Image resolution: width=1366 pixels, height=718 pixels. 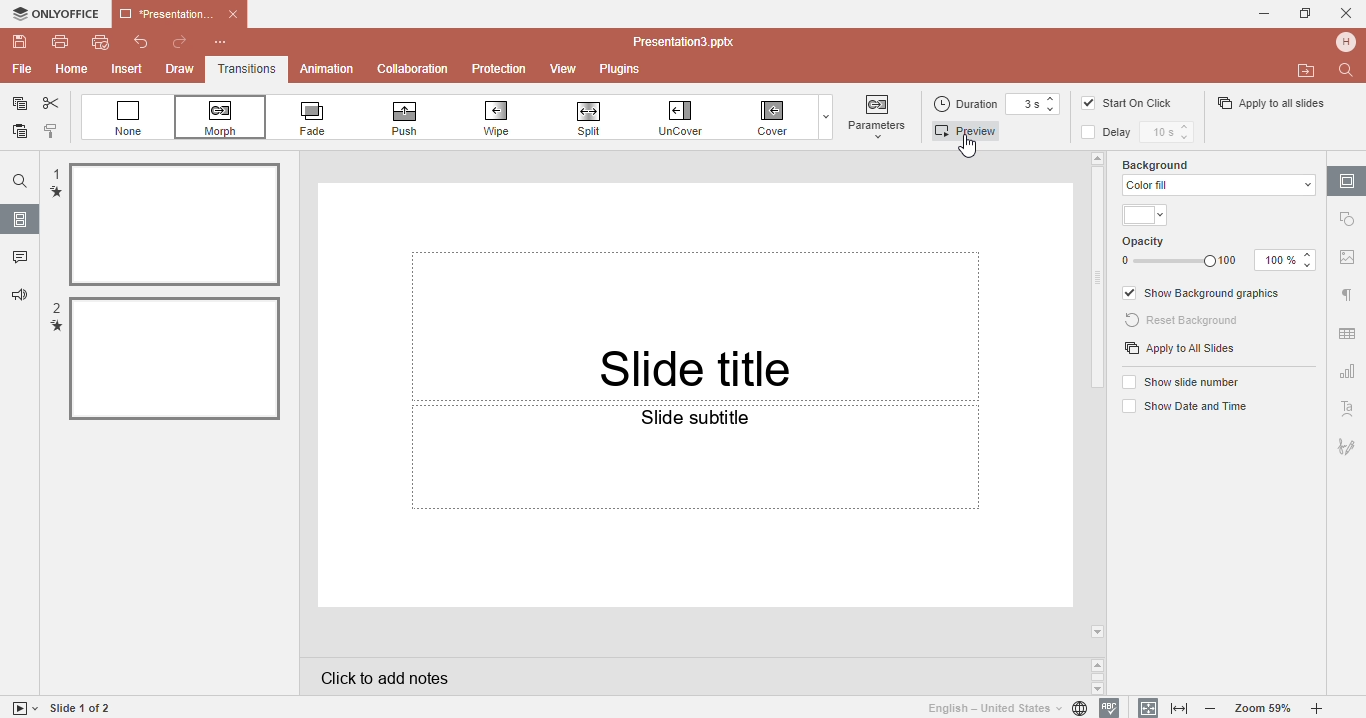 What do you see at coordinates (175, 358) in the screenshot?
I see `Slected file 2` at bounding box center [175, 358].